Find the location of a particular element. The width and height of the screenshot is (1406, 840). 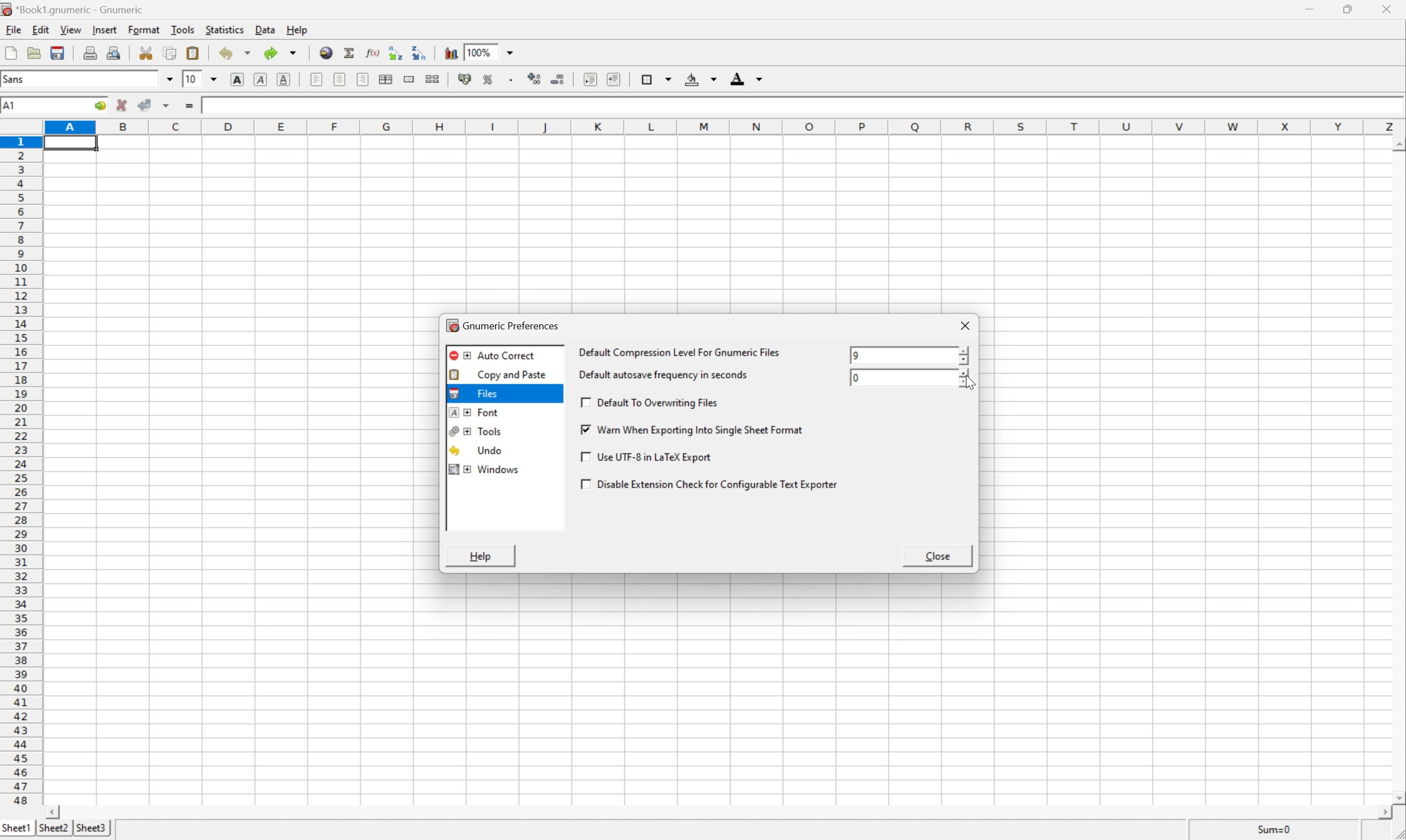

Sort the selected region in ascending order based on the first column selected is located at coordinates (395, 52).